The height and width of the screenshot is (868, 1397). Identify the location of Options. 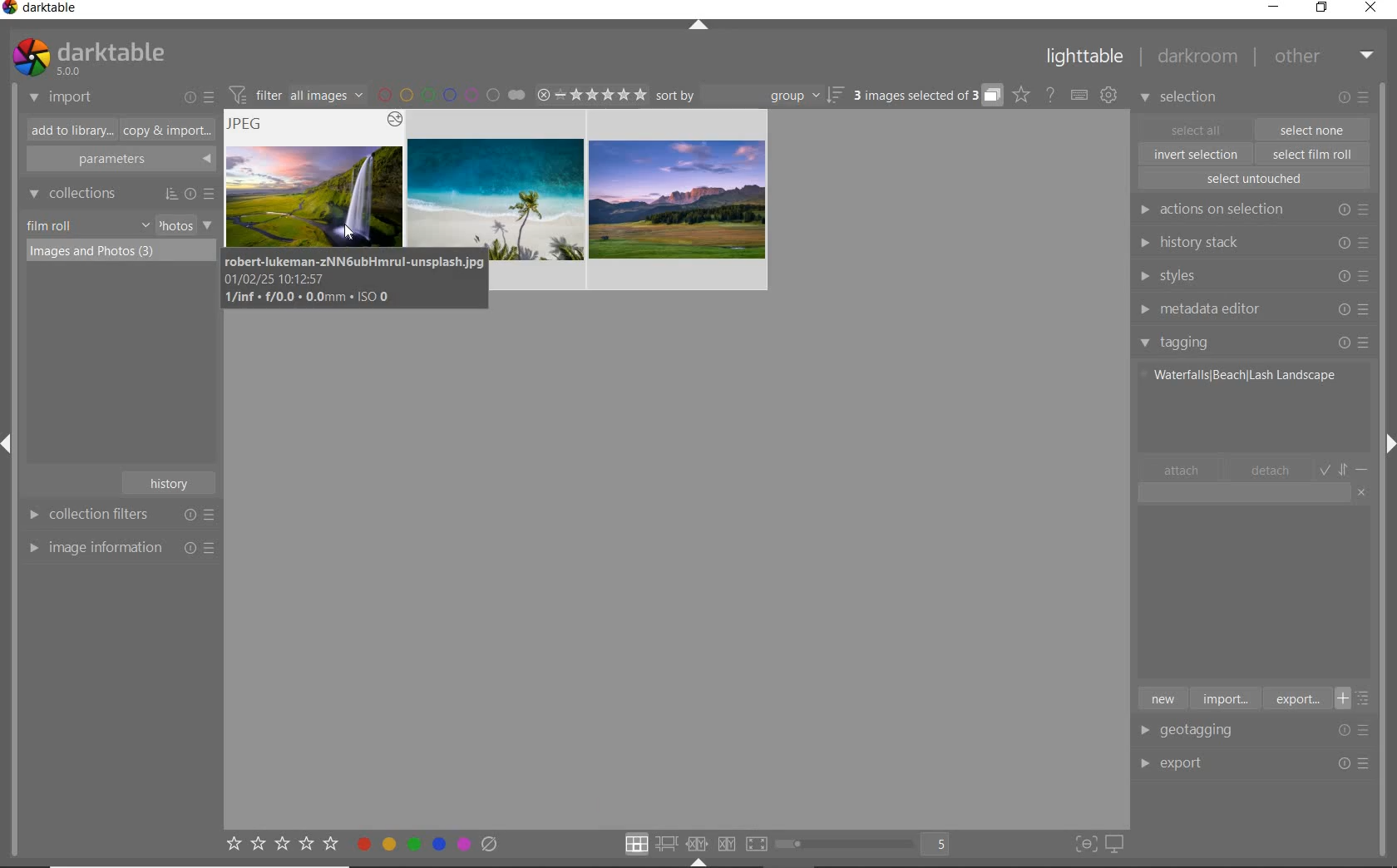
(1355, 764).